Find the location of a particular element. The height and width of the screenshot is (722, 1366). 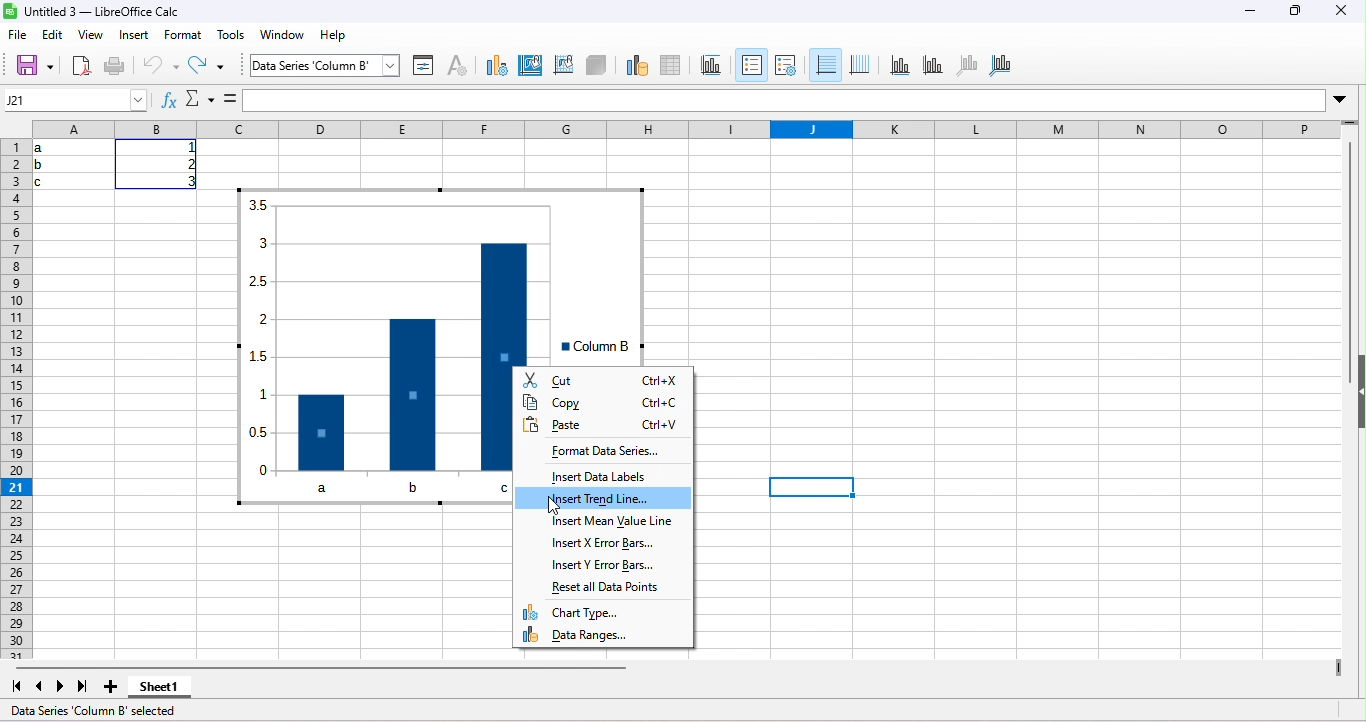

horizontal grids  is located at coordinates (825, 65).